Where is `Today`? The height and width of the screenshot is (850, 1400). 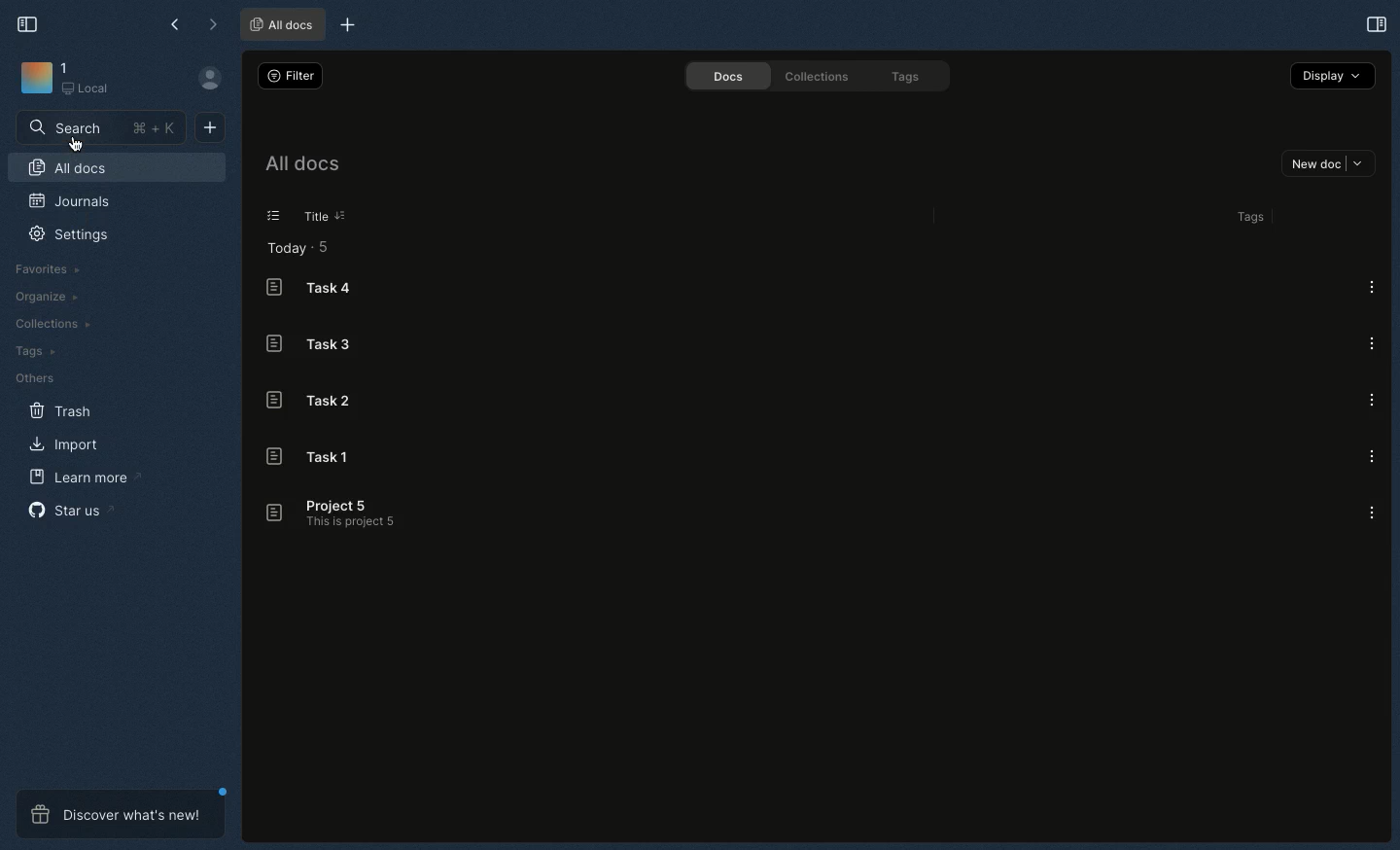 Today is located at coordinates (282, 250).